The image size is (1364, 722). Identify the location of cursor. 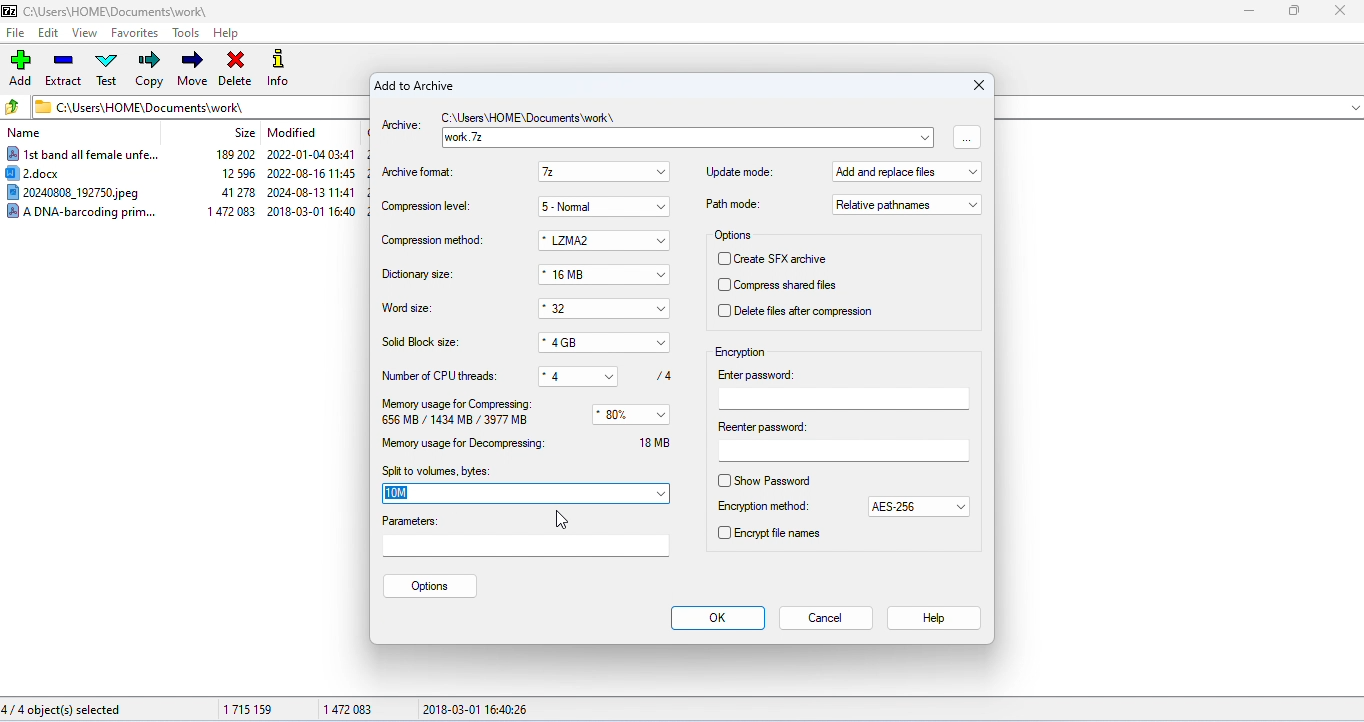
(558, 519).